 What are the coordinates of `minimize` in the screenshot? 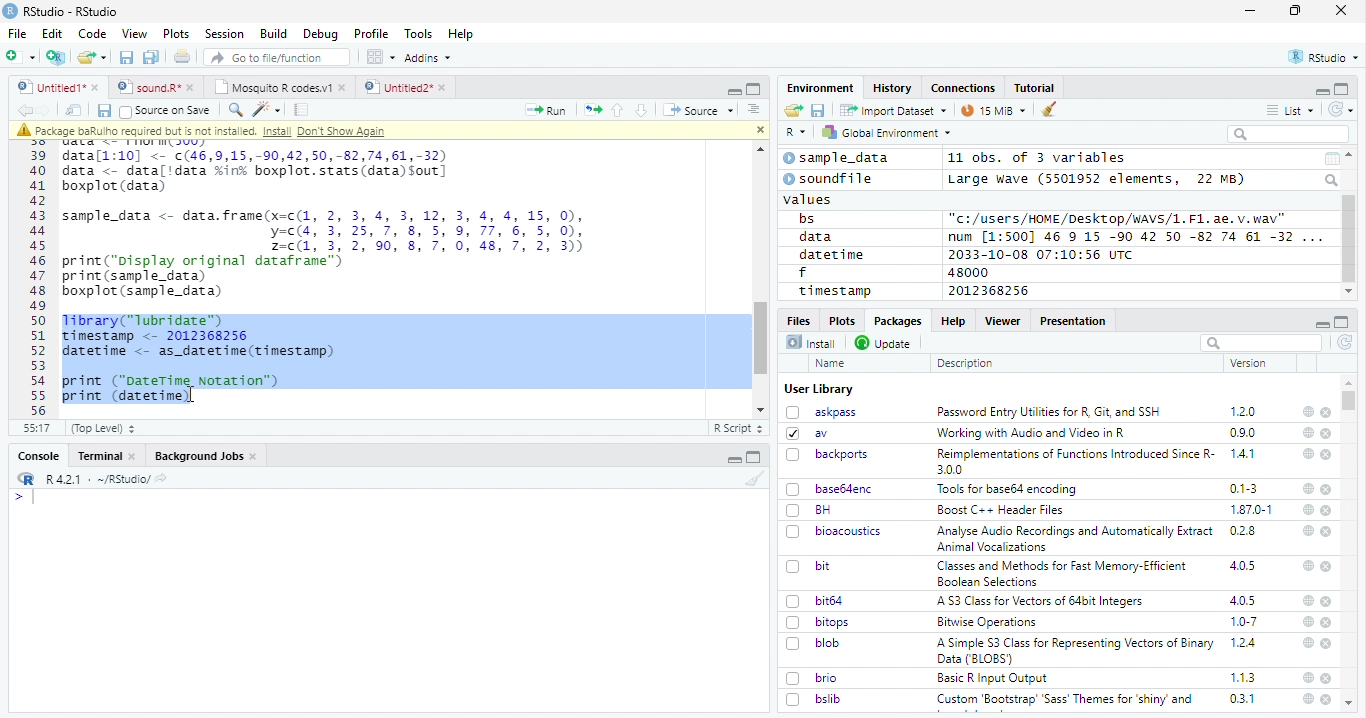 It's located at (1253, 11).